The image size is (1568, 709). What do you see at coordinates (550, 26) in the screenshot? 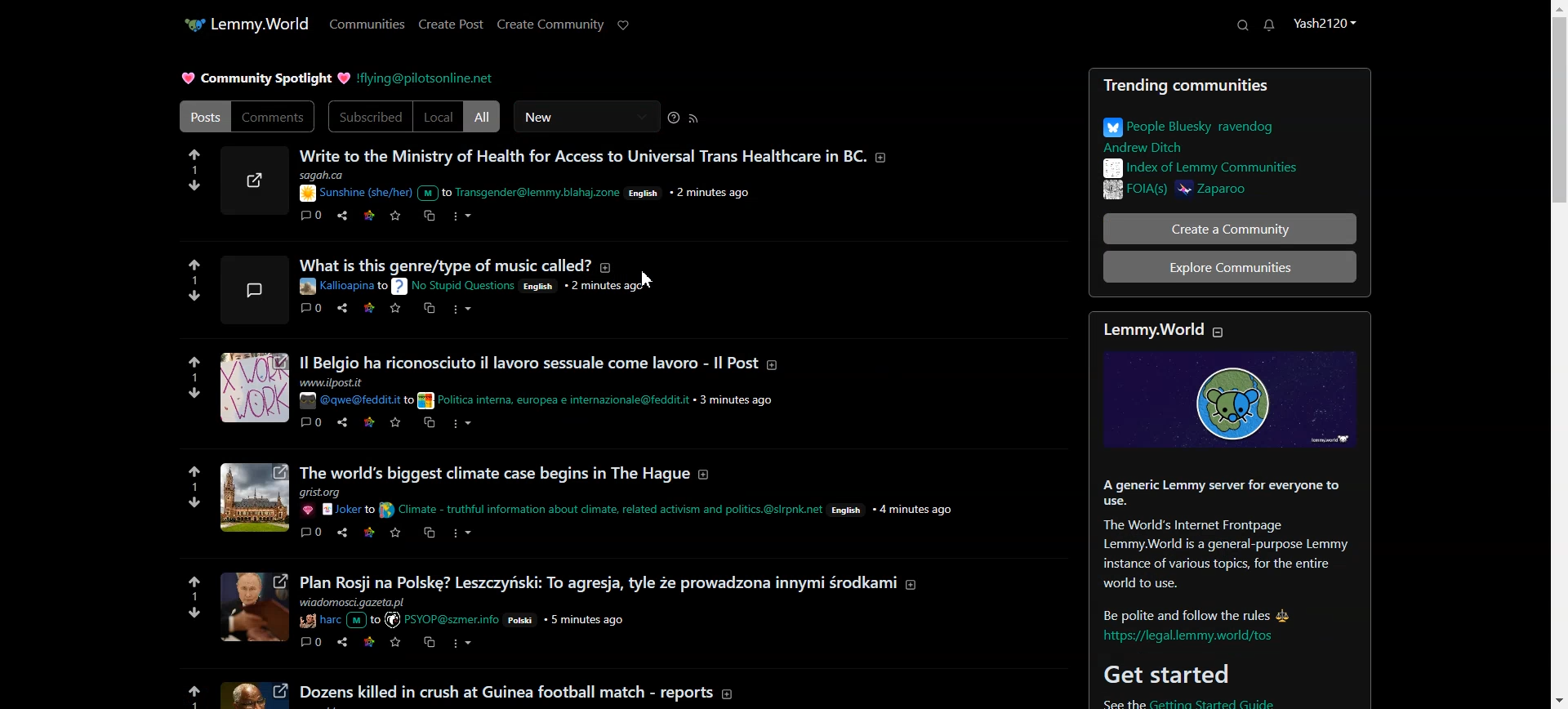
I see `Create Community` at bounding box center [550, 26].